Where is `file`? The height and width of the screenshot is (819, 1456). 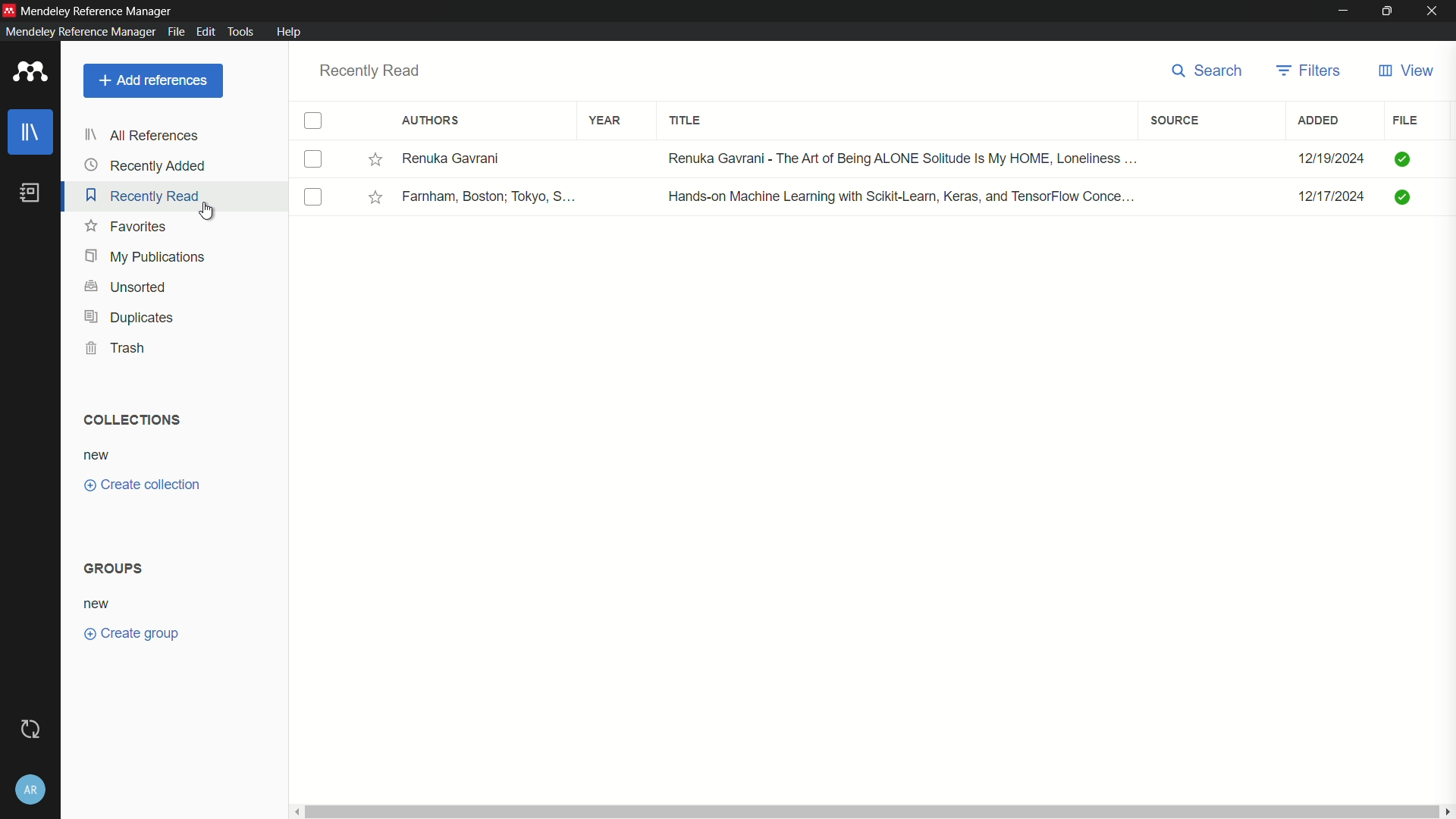 file is located at coordinates (1406, 119).